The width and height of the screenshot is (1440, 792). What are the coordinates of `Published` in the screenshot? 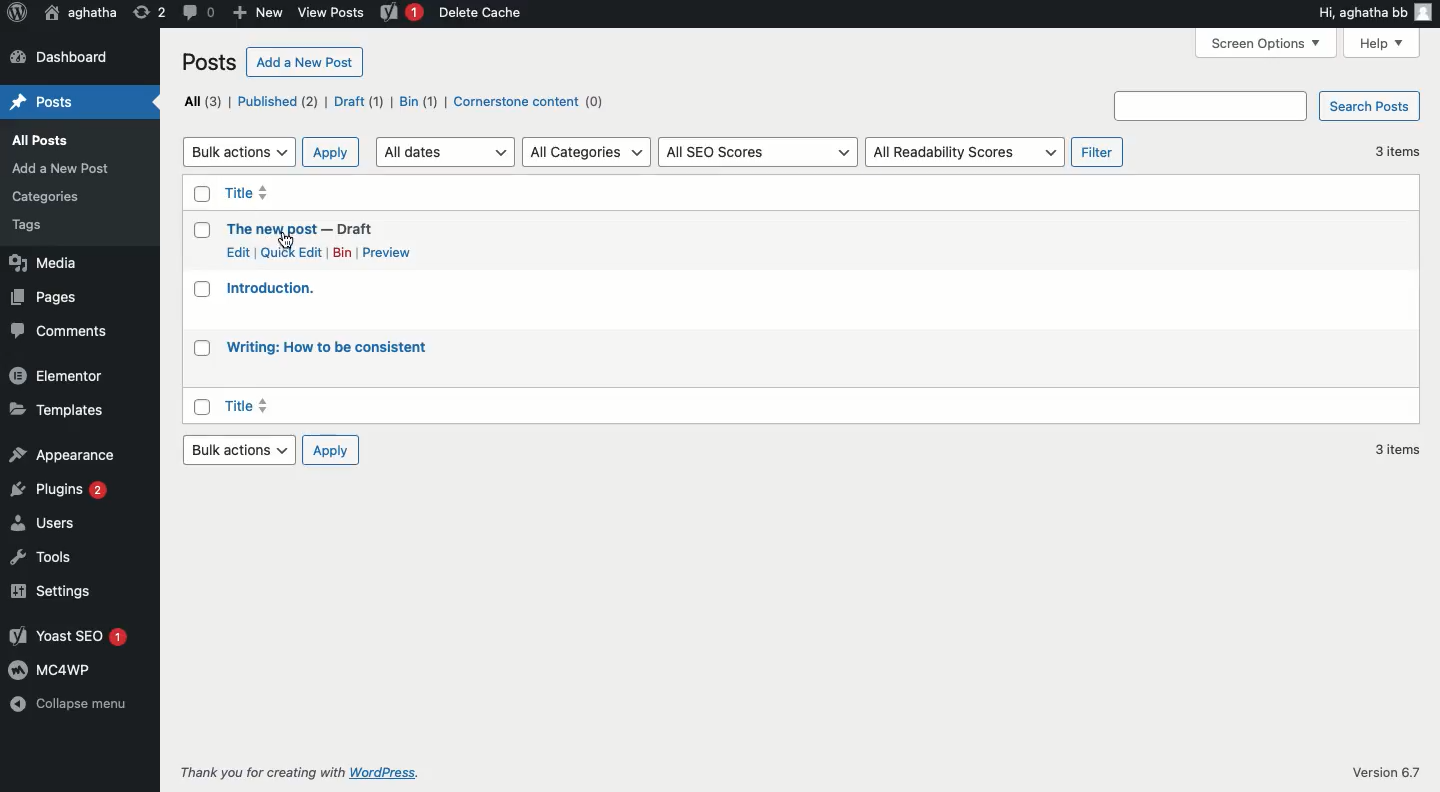 It's located at (275, 100).